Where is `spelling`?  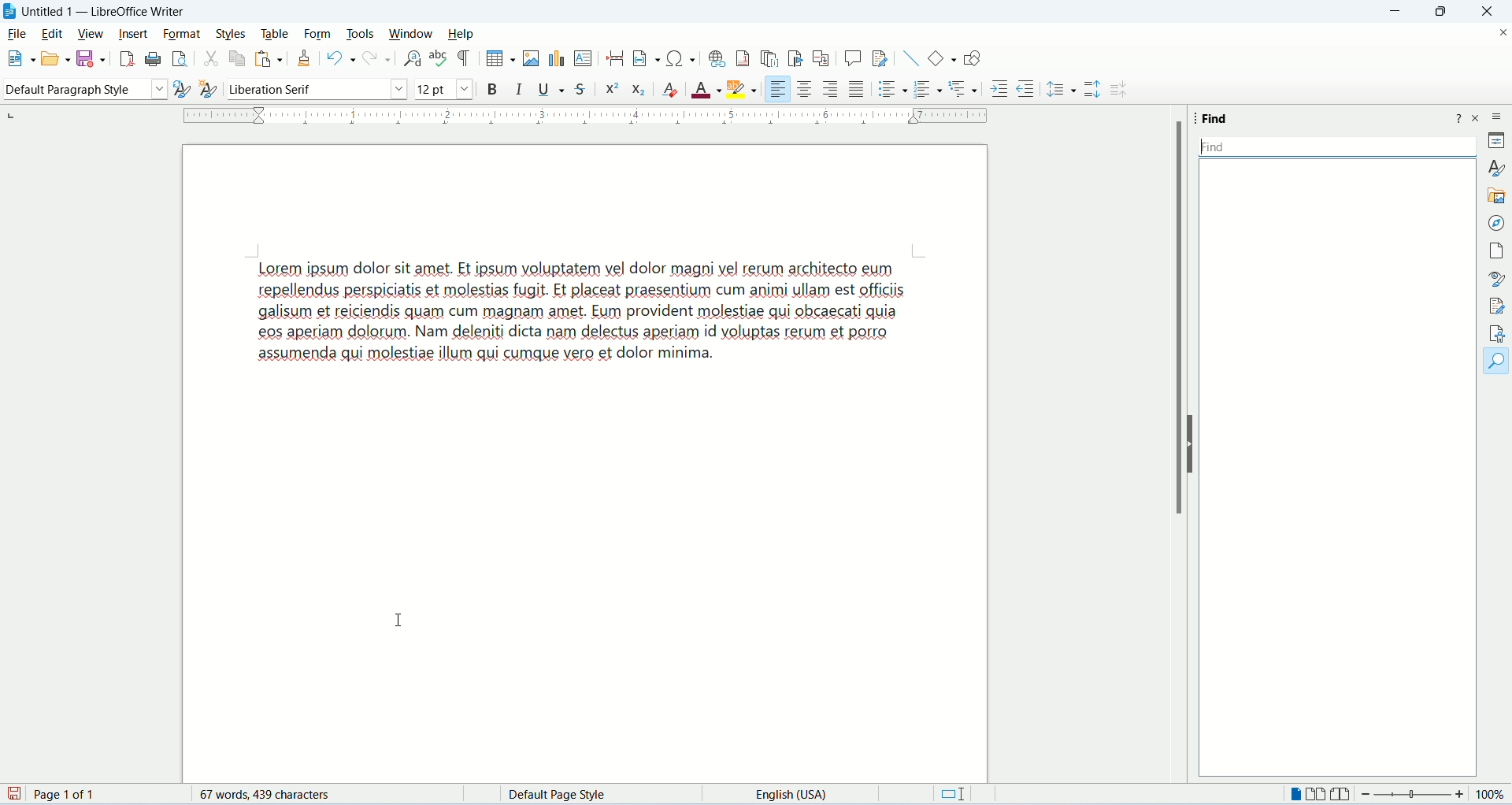 spelling is located at coordinates (437, 61).